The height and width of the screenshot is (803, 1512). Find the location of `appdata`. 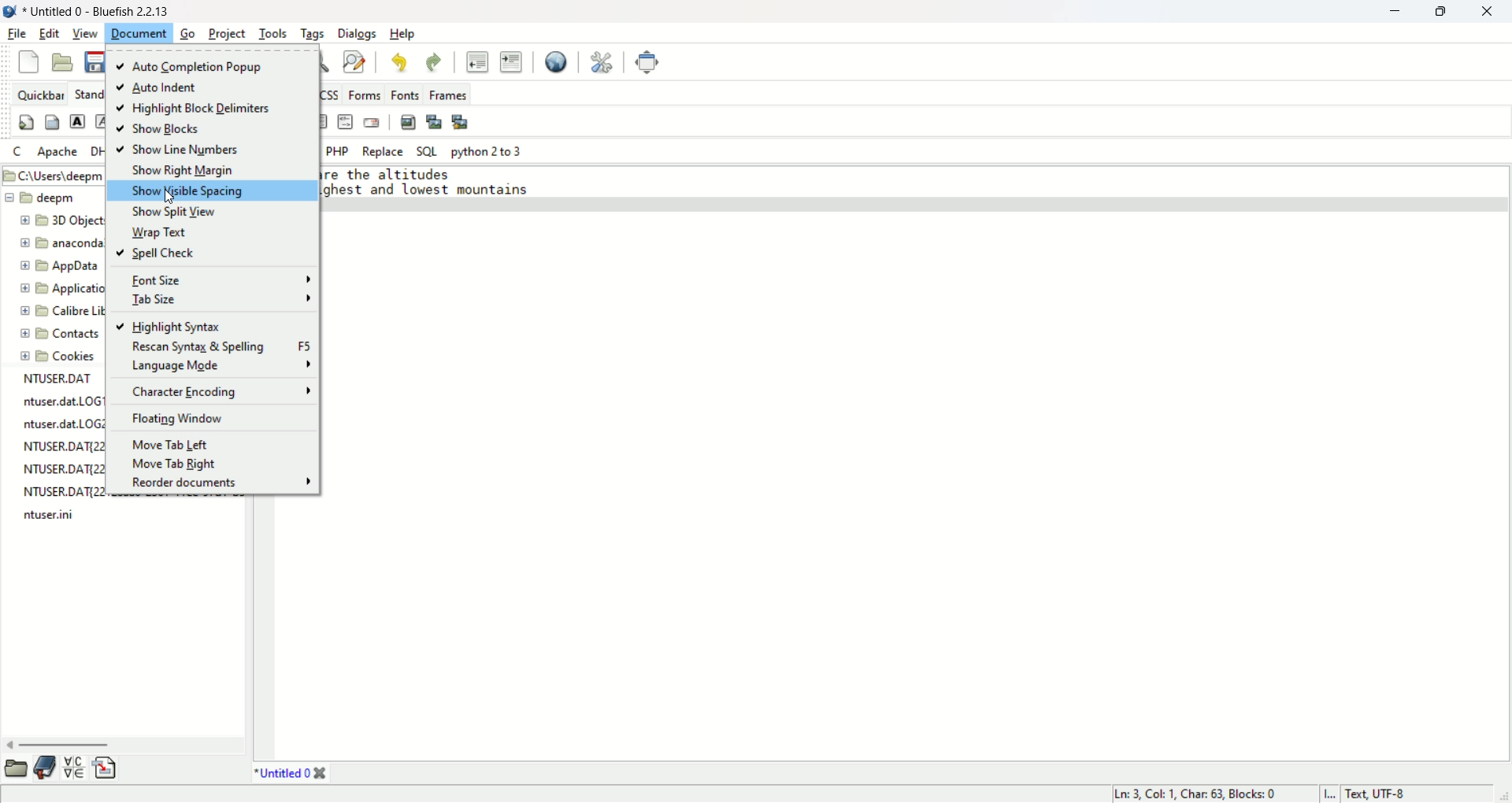

appdata is located at coordinates (64, 268).